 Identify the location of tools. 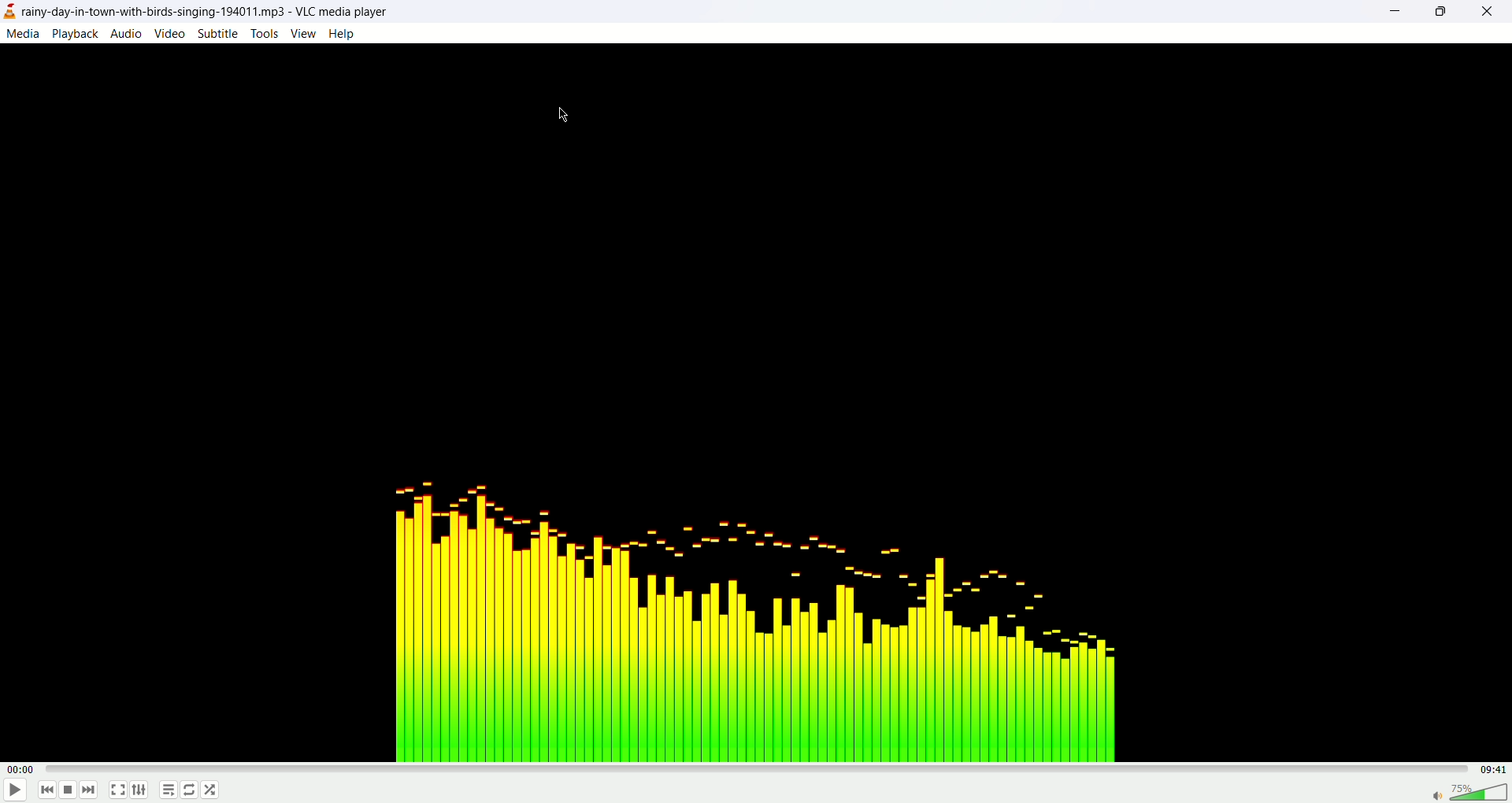
(265, 33).